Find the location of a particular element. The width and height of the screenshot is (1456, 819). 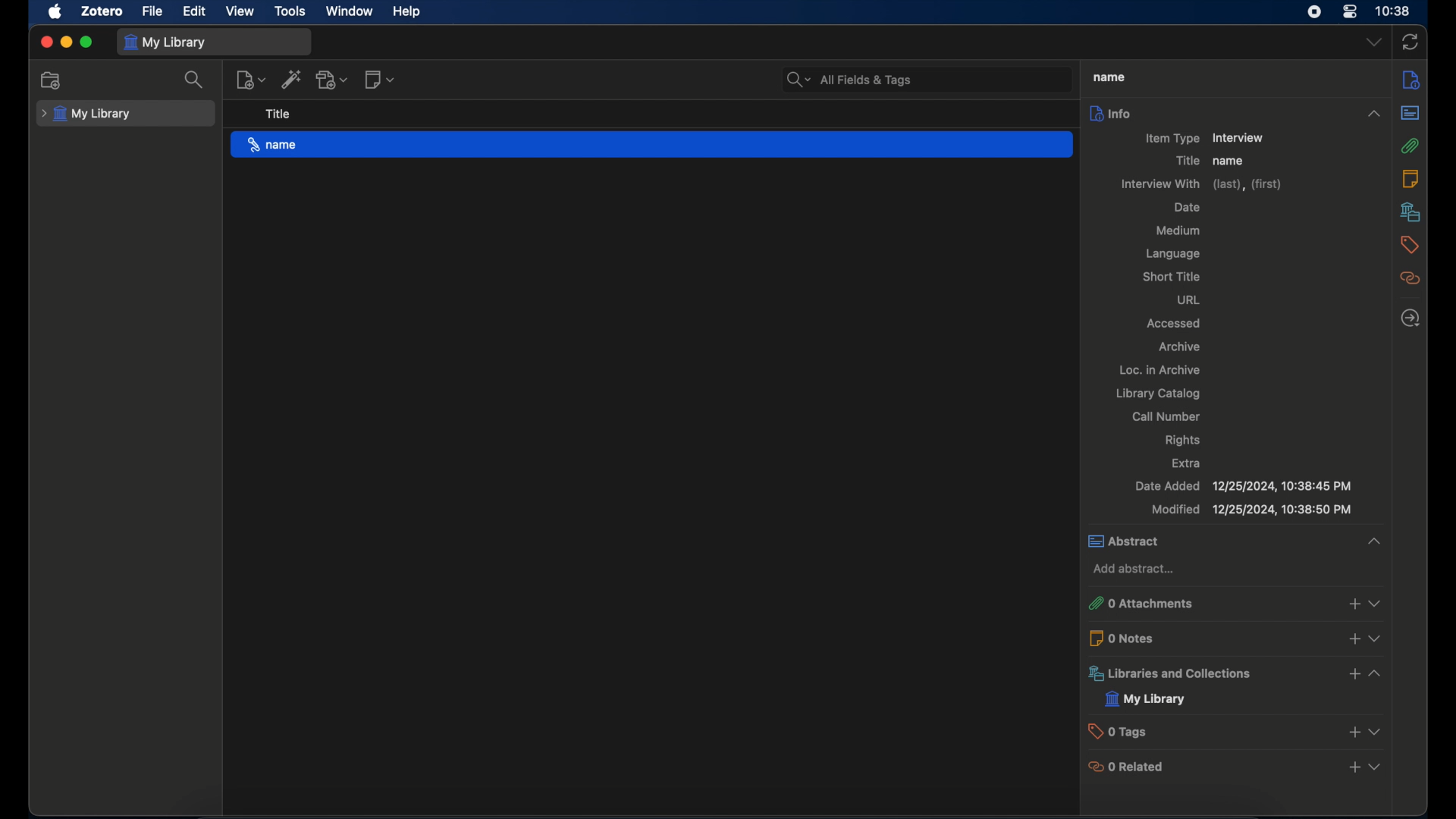

0 related is located at coordinates (1127, 767).